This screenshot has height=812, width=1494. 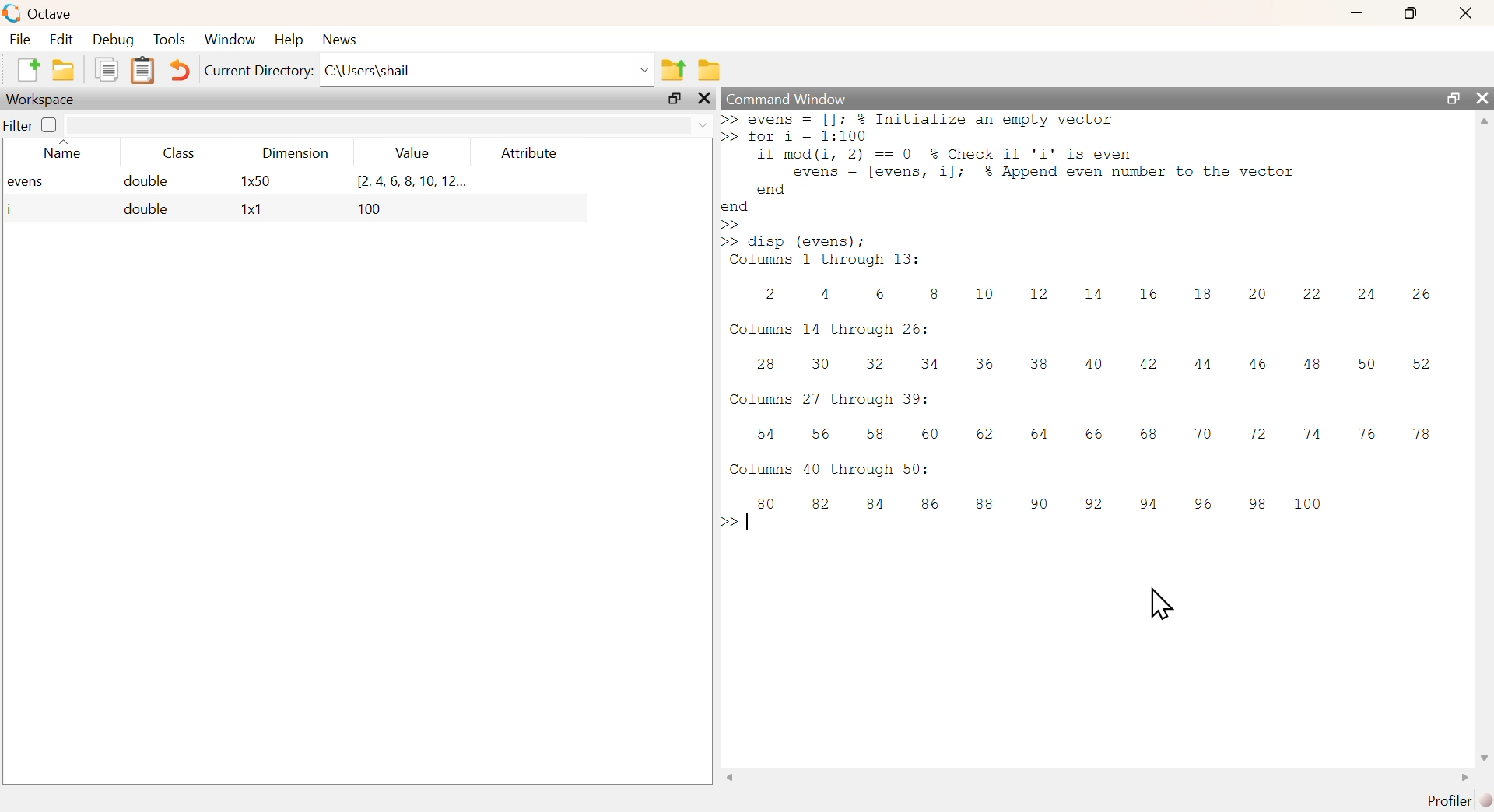 I want to click on close, so click(x=1483, y=98).